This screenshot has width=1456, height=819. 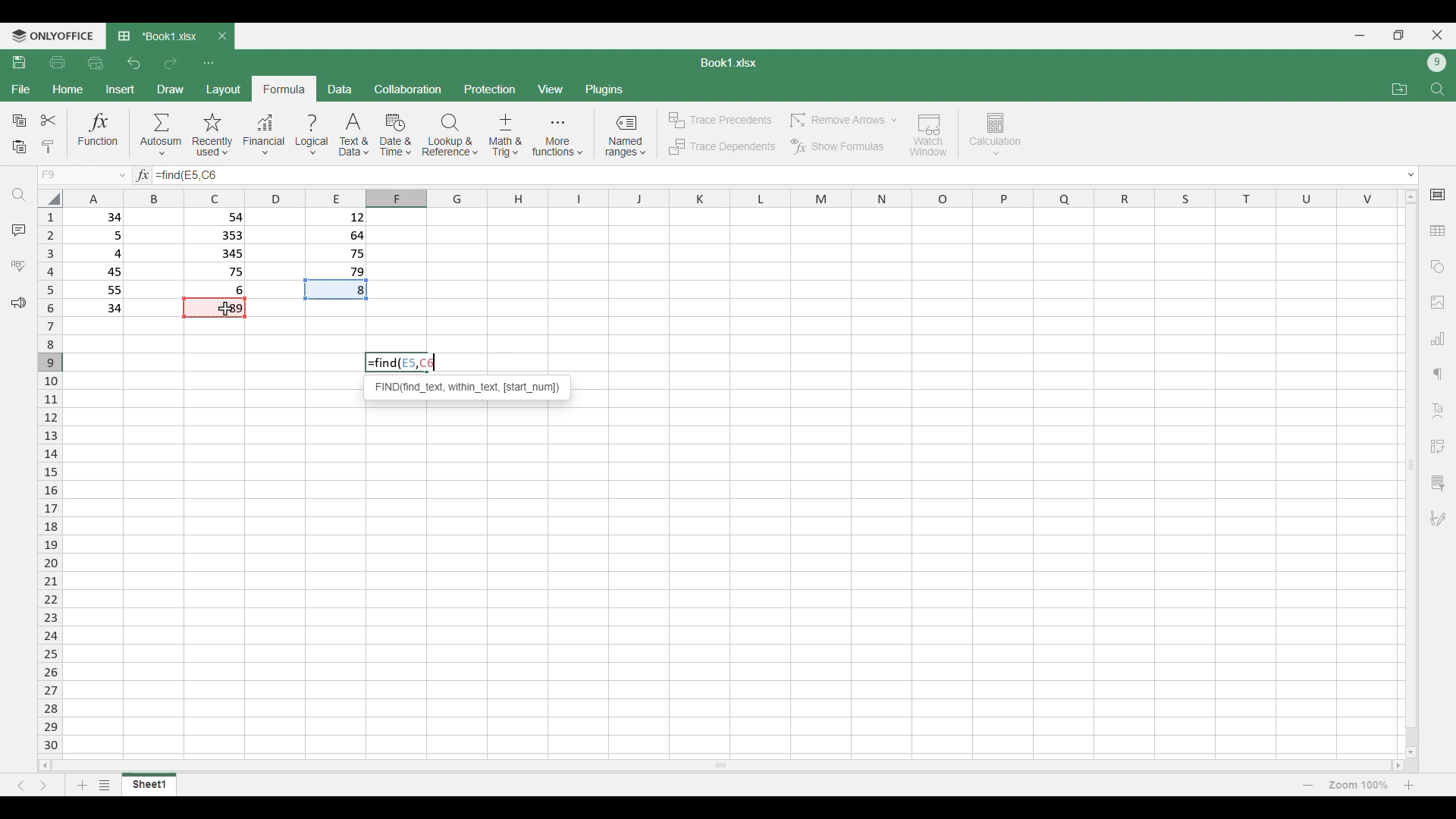 What do you see at coordinates (312, 135) in the screenshot?
I see `Logical` at bounding box center [312, 135].